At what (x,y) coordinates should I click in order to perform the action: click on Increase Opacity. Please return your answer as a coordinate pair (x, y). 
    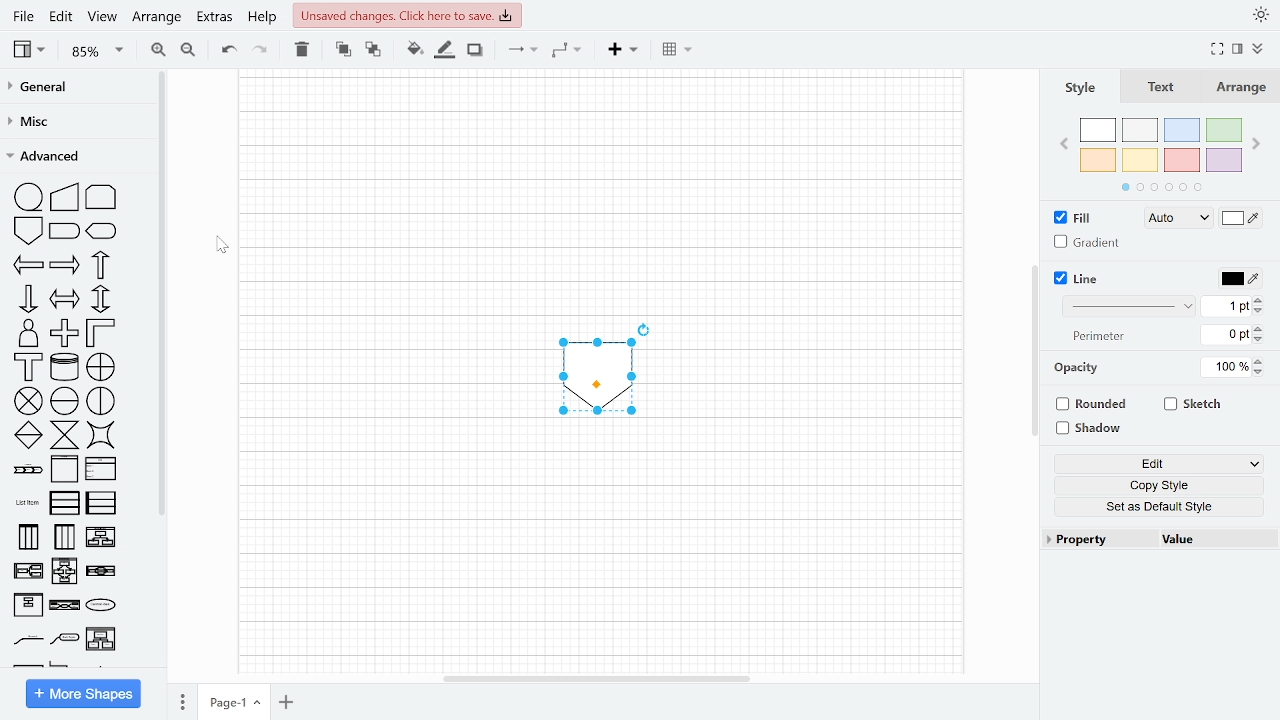
    Looking at the image, I should click on (1260, 360).